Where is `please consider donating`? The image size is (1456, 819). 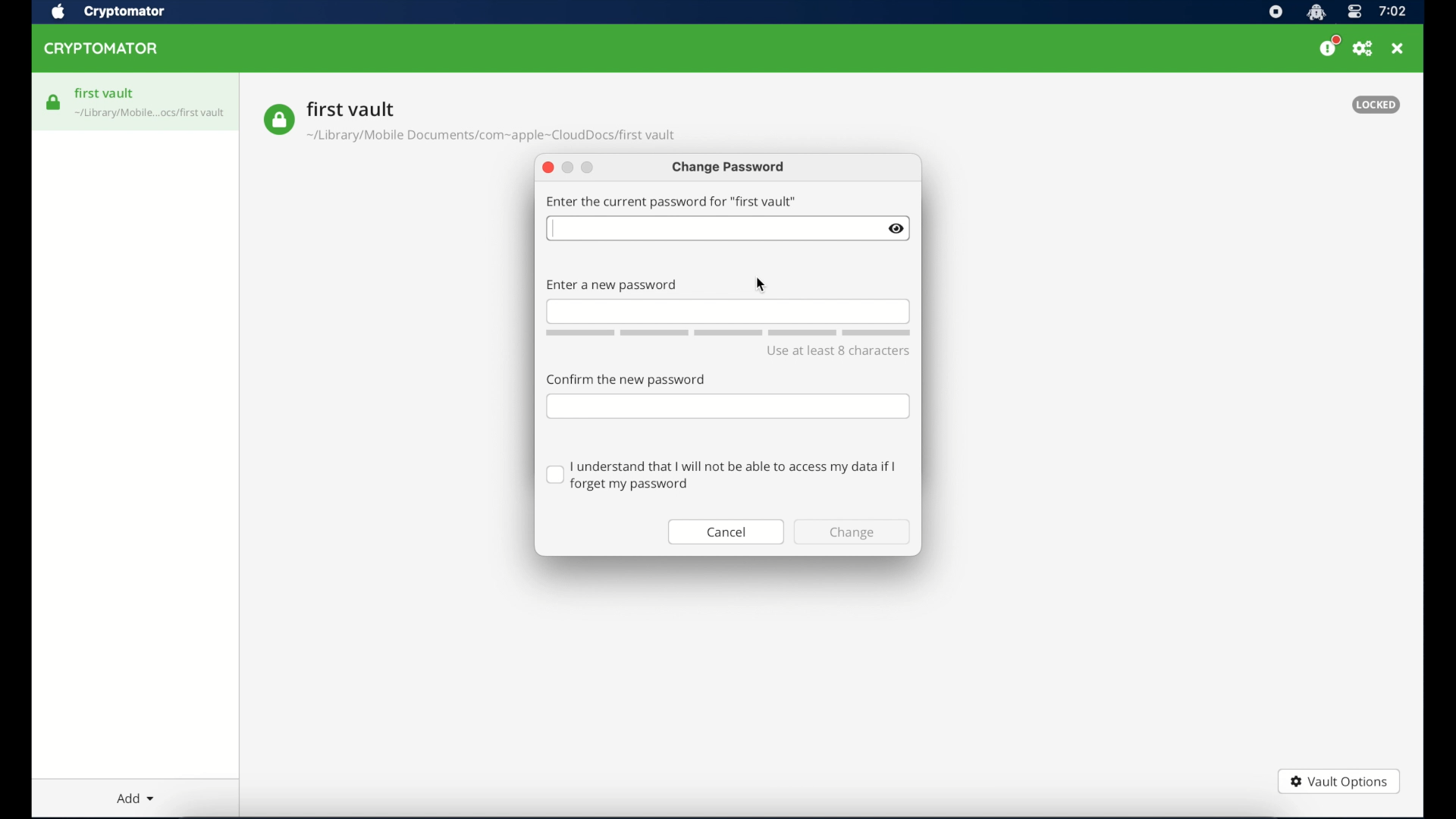 please consider donating is located at coordinates (1329, 46).